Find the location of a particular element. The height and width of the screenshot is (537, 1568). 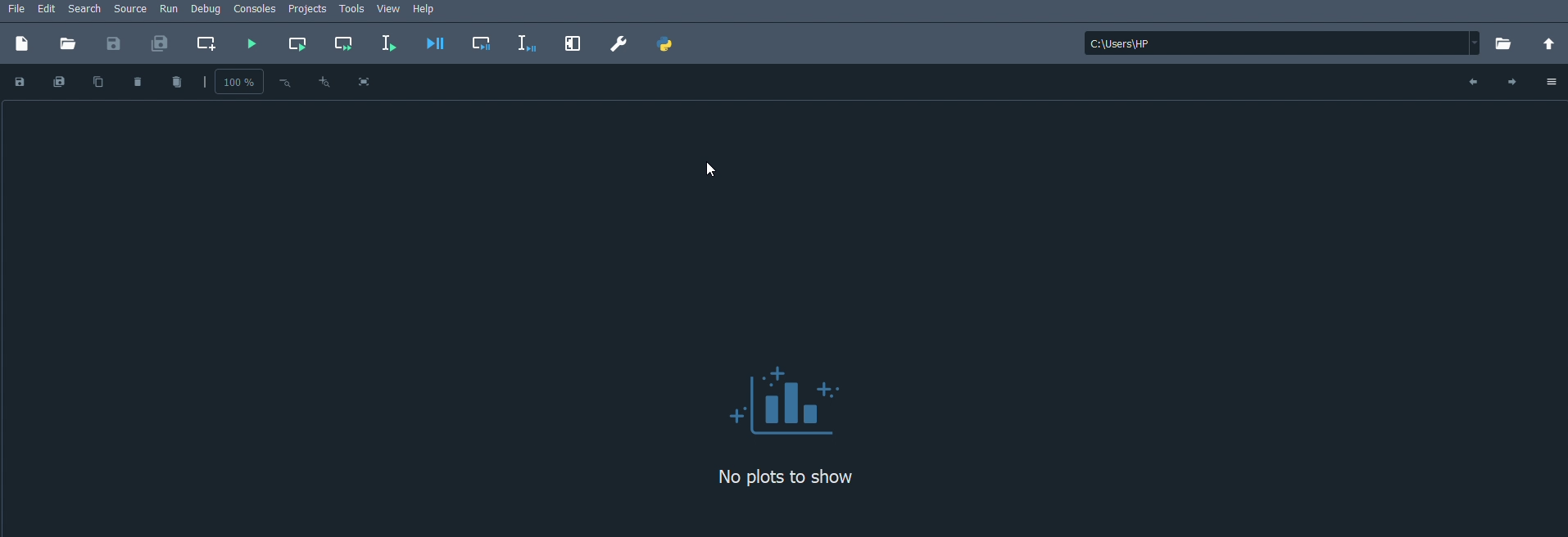

PYTHONPATH manager is located at coordinates (666, 43).